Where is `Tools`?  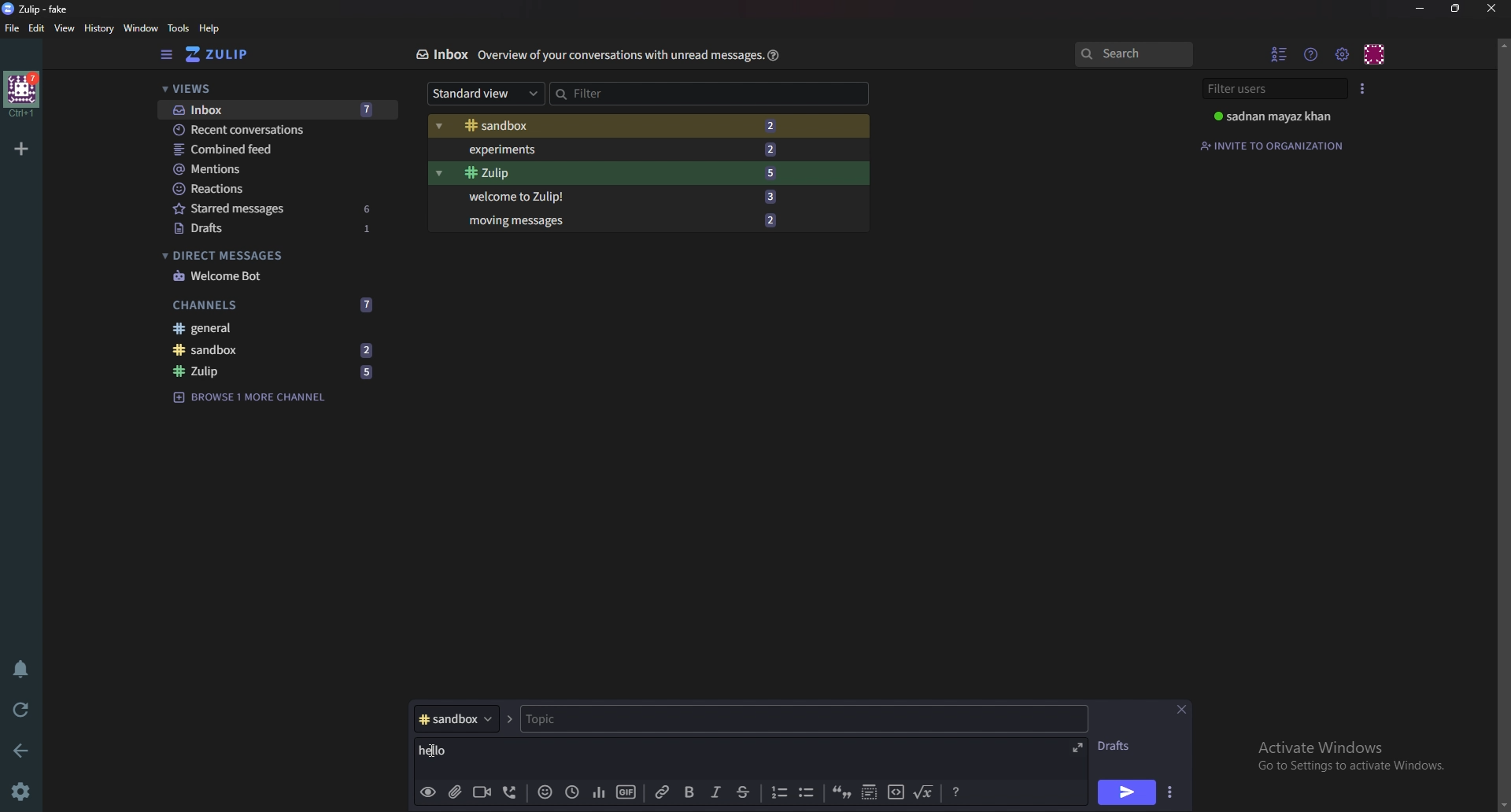 Tools is located at coordinates (179, 28).